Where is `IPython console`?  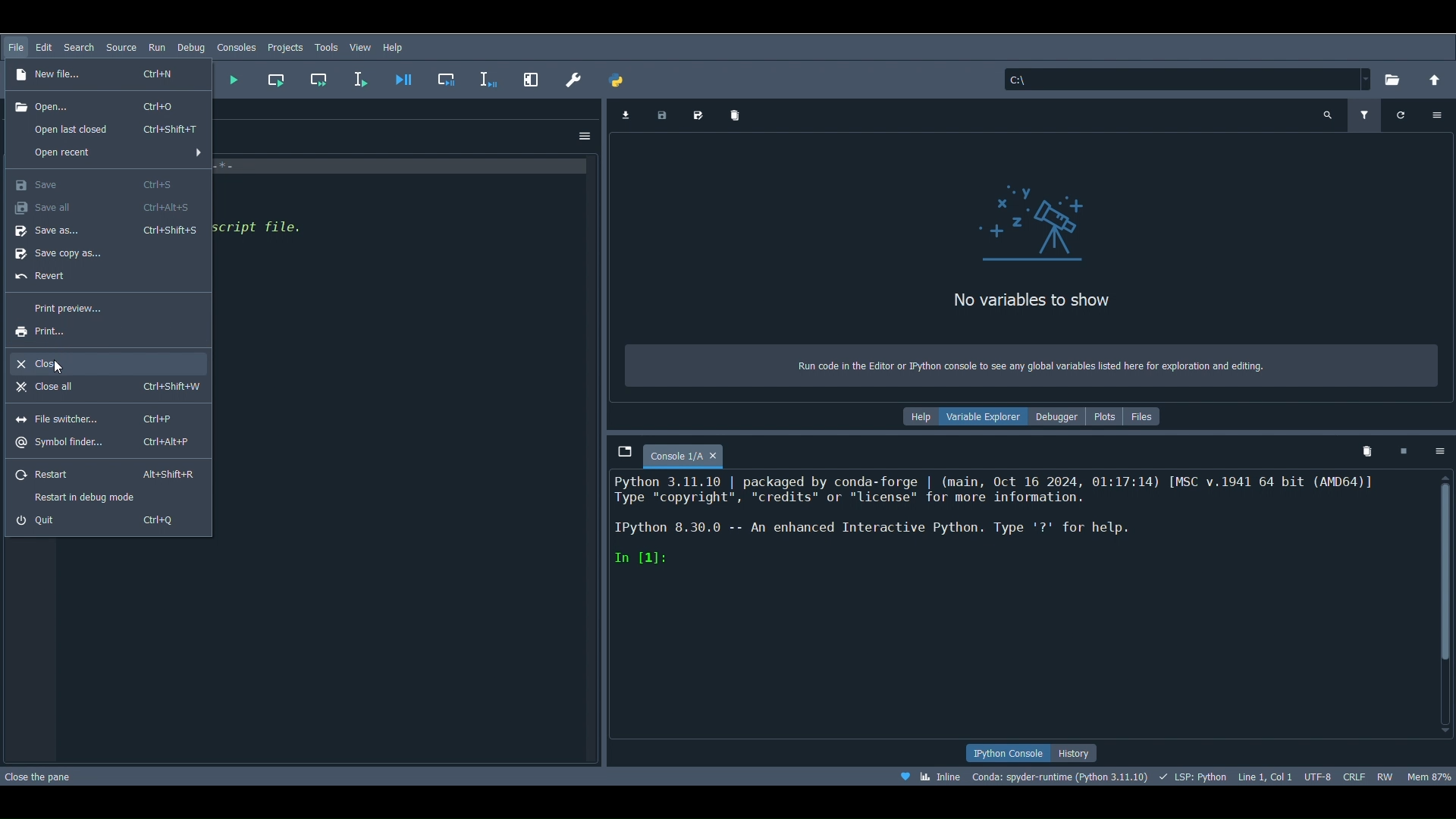
IPython console is located at coordinates (1005, 752).